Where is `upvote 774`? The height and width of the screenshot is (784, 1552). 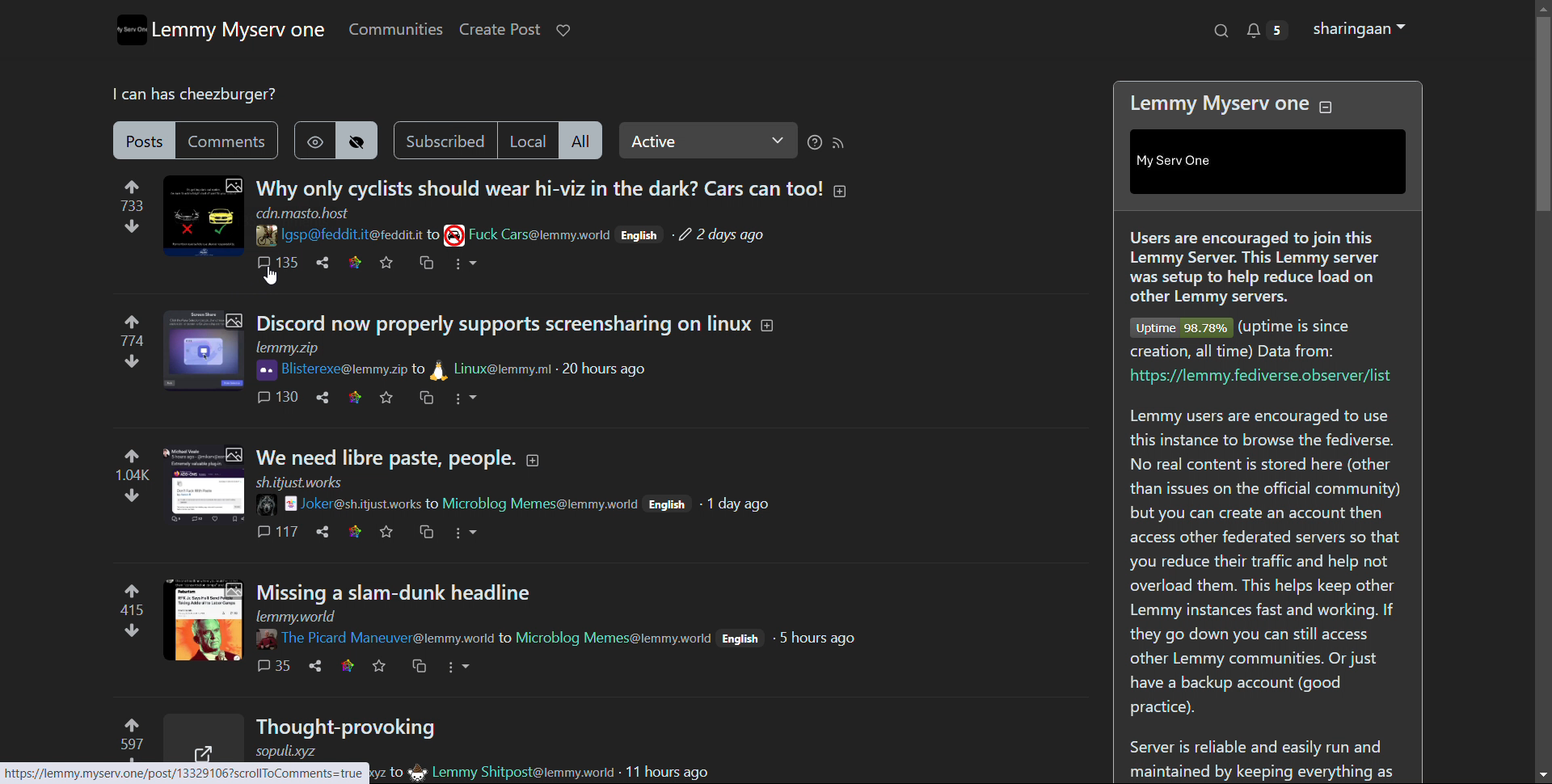 upvote 774 is located at coordinates (133, 329).